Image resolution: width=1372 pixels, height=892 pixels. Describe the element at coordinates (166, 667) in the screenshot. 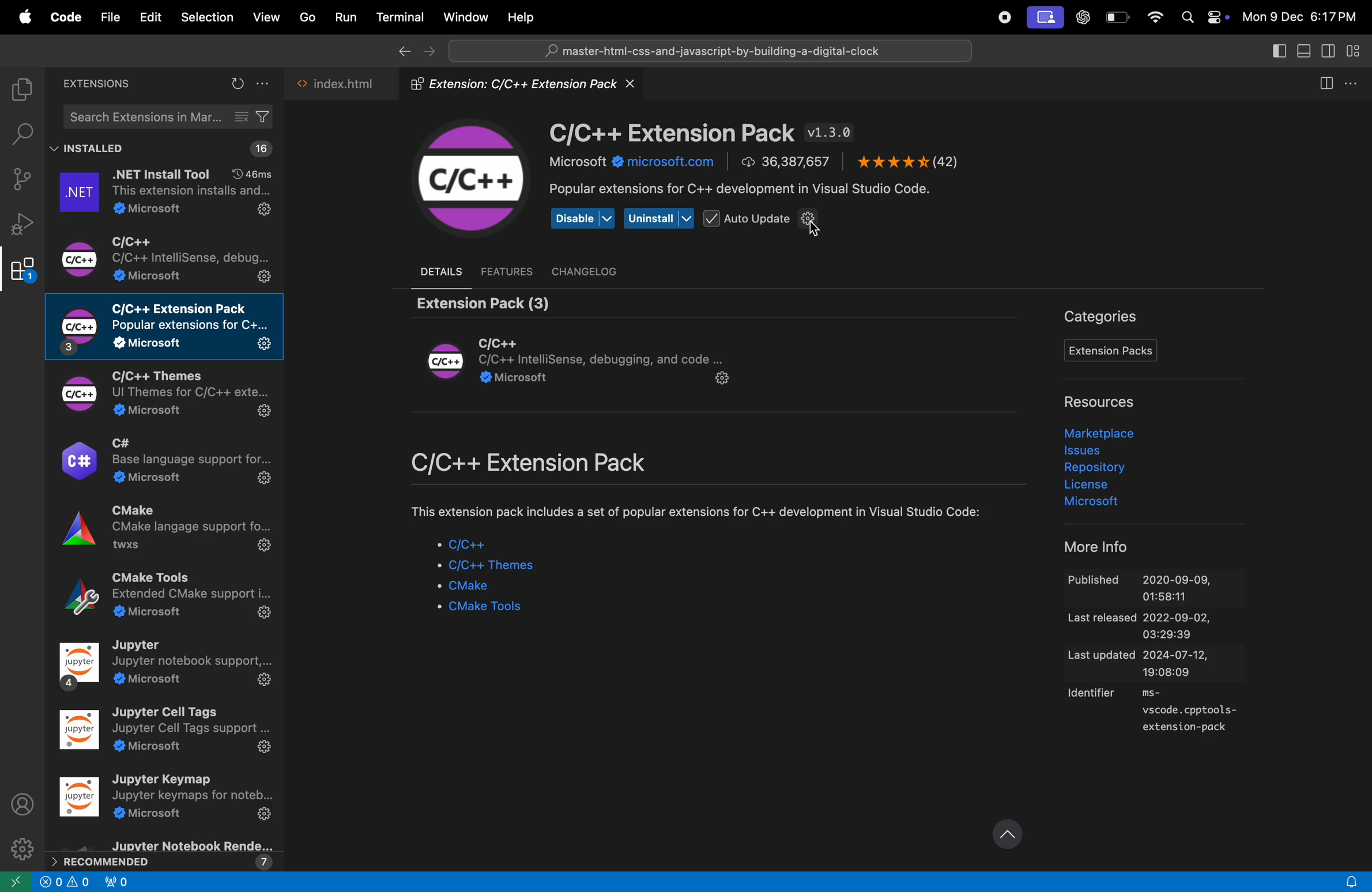

I see `jupyter note book extensions` at that location.